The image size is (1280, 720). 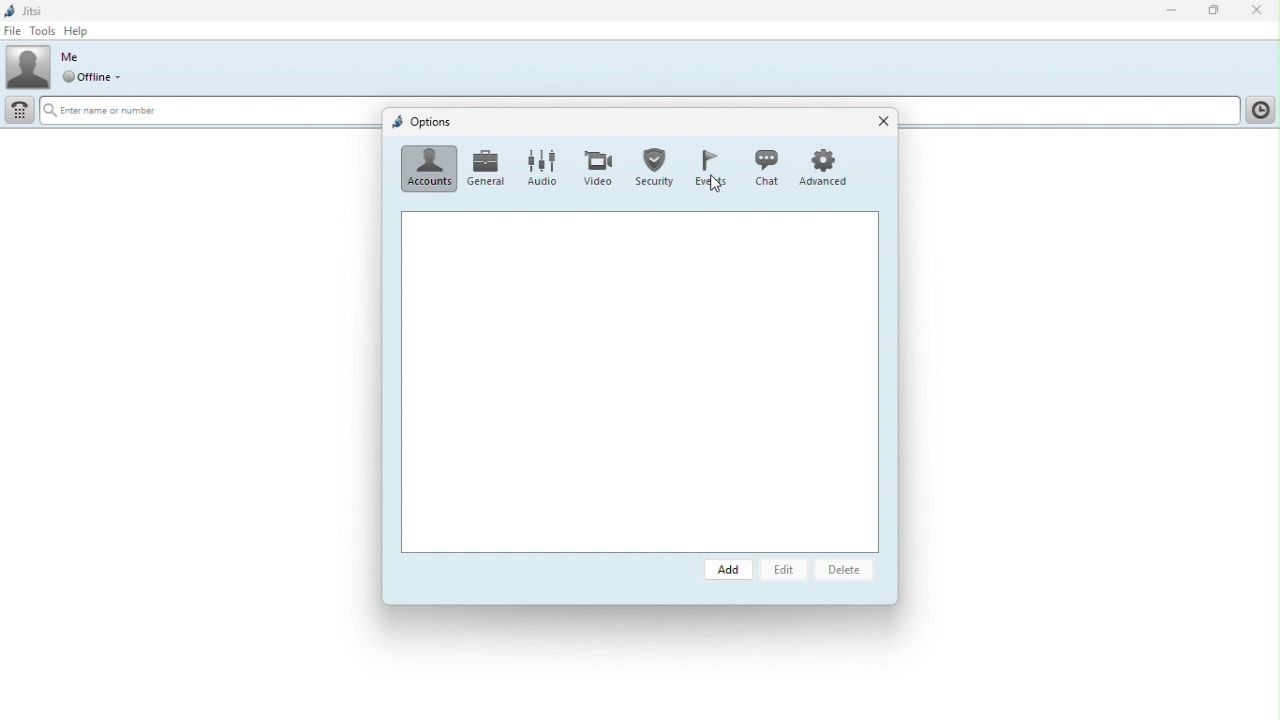 What do you see at coordinates (764, 166) in the screenshot?
I see `Chat` at bounding box center [764, 166].